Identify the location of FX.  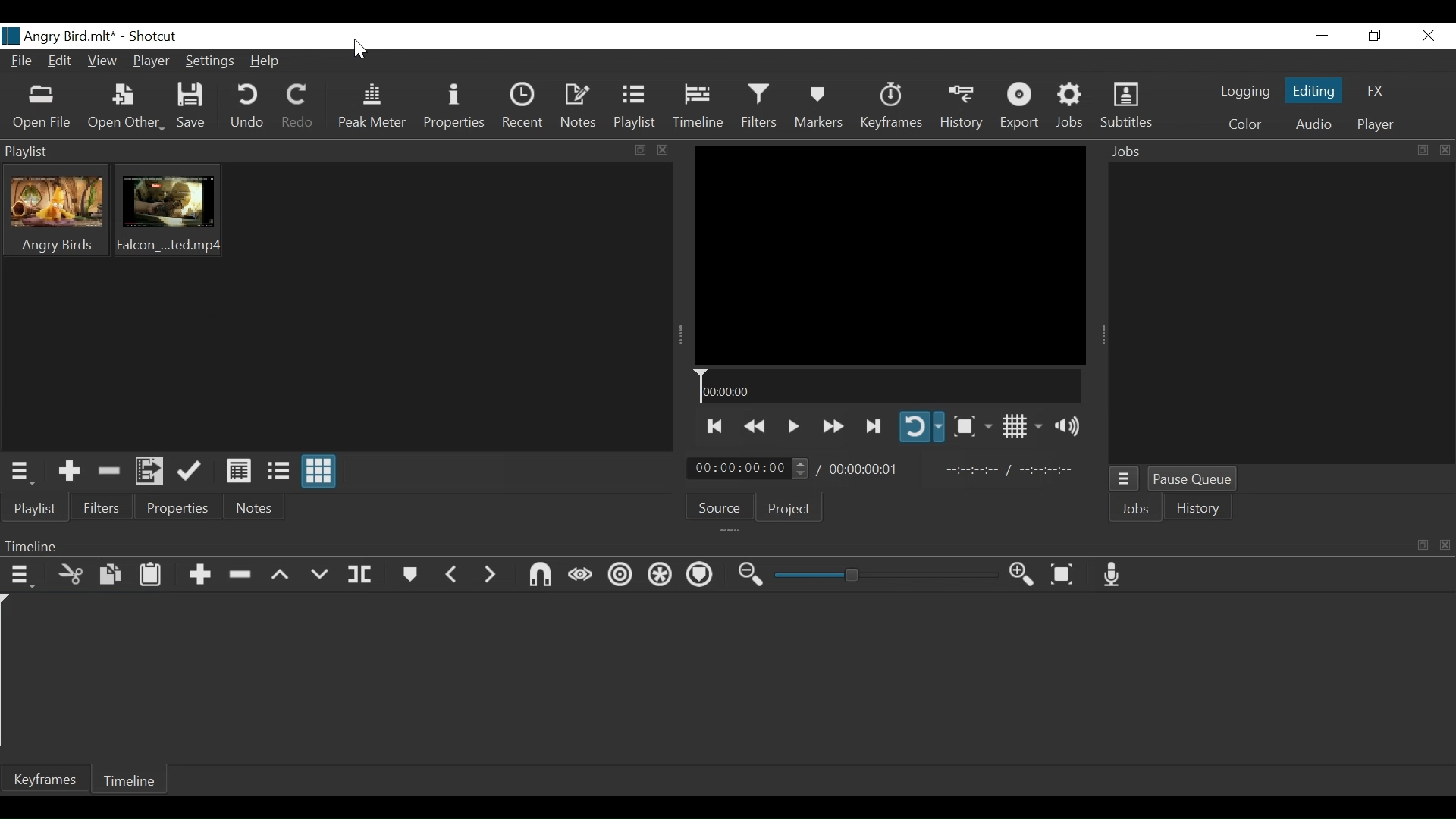
(1376, 89).